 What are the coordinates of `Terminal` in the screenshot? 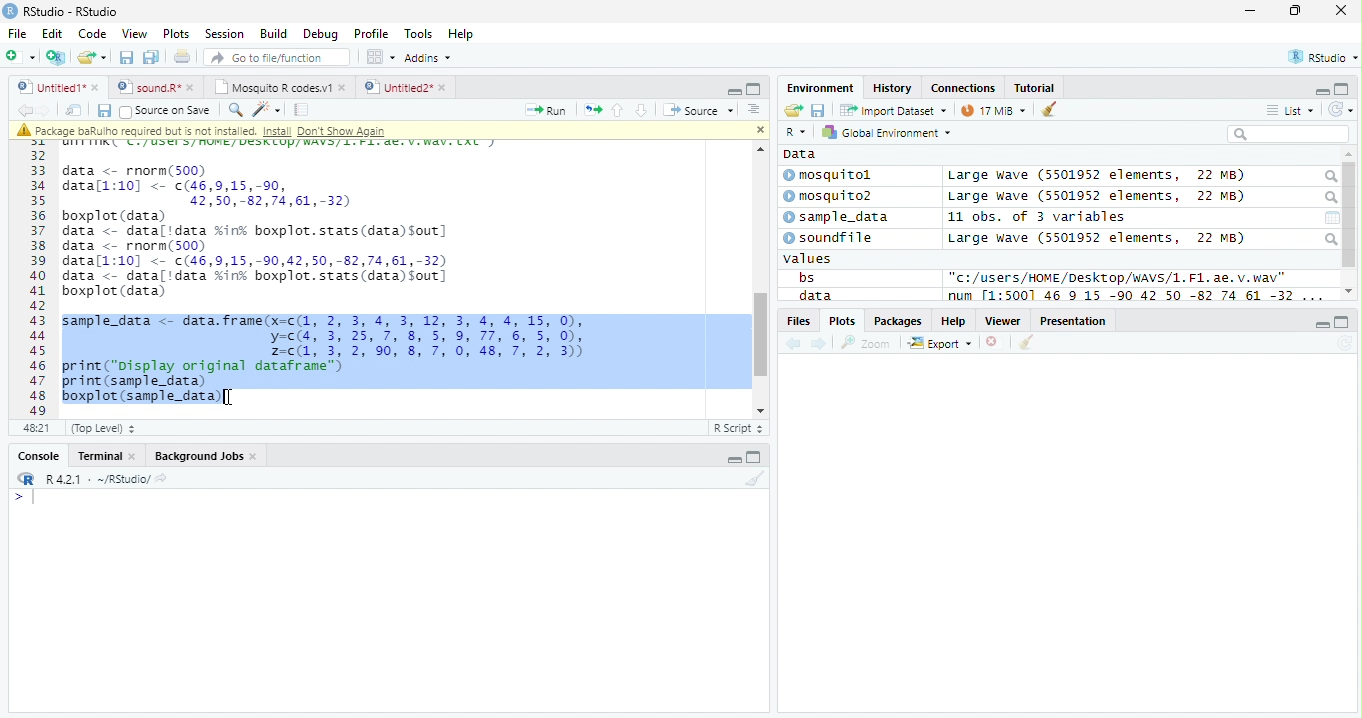 It's located at (104, 456).